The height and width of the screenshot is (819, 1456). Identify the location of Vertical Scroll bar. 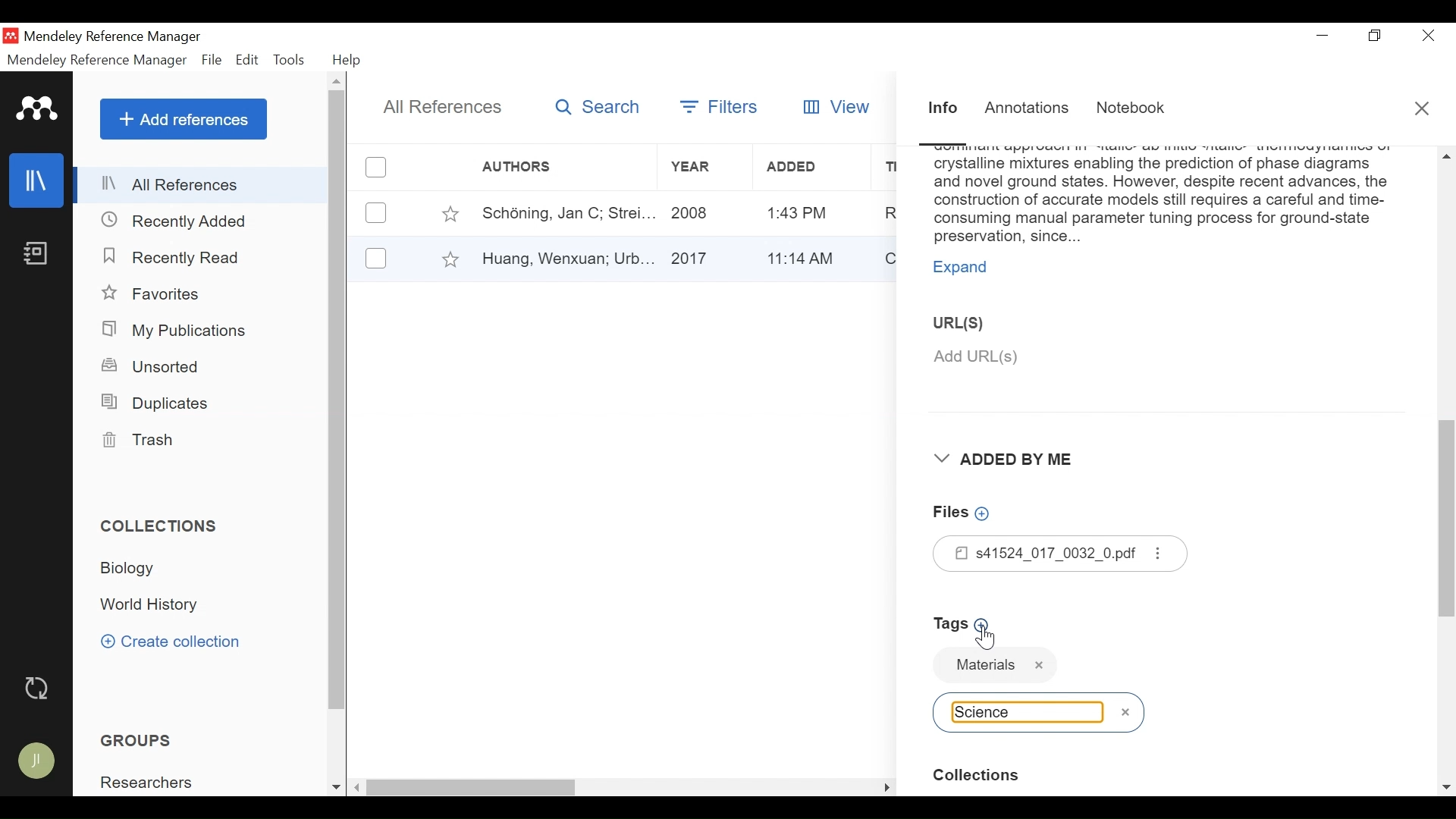
(474, 789).